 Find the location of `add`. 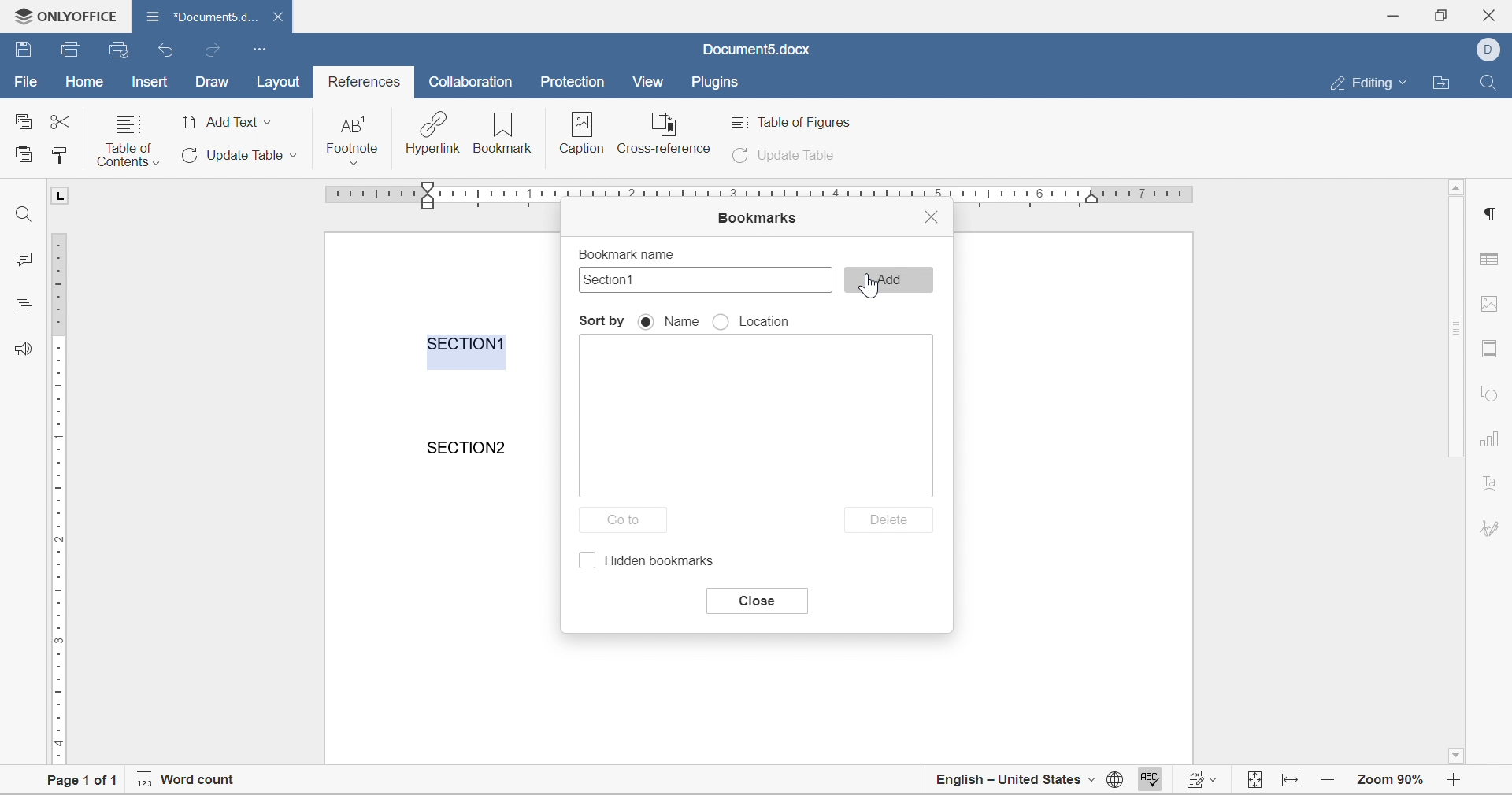

add is located at coordinates (889, 279).